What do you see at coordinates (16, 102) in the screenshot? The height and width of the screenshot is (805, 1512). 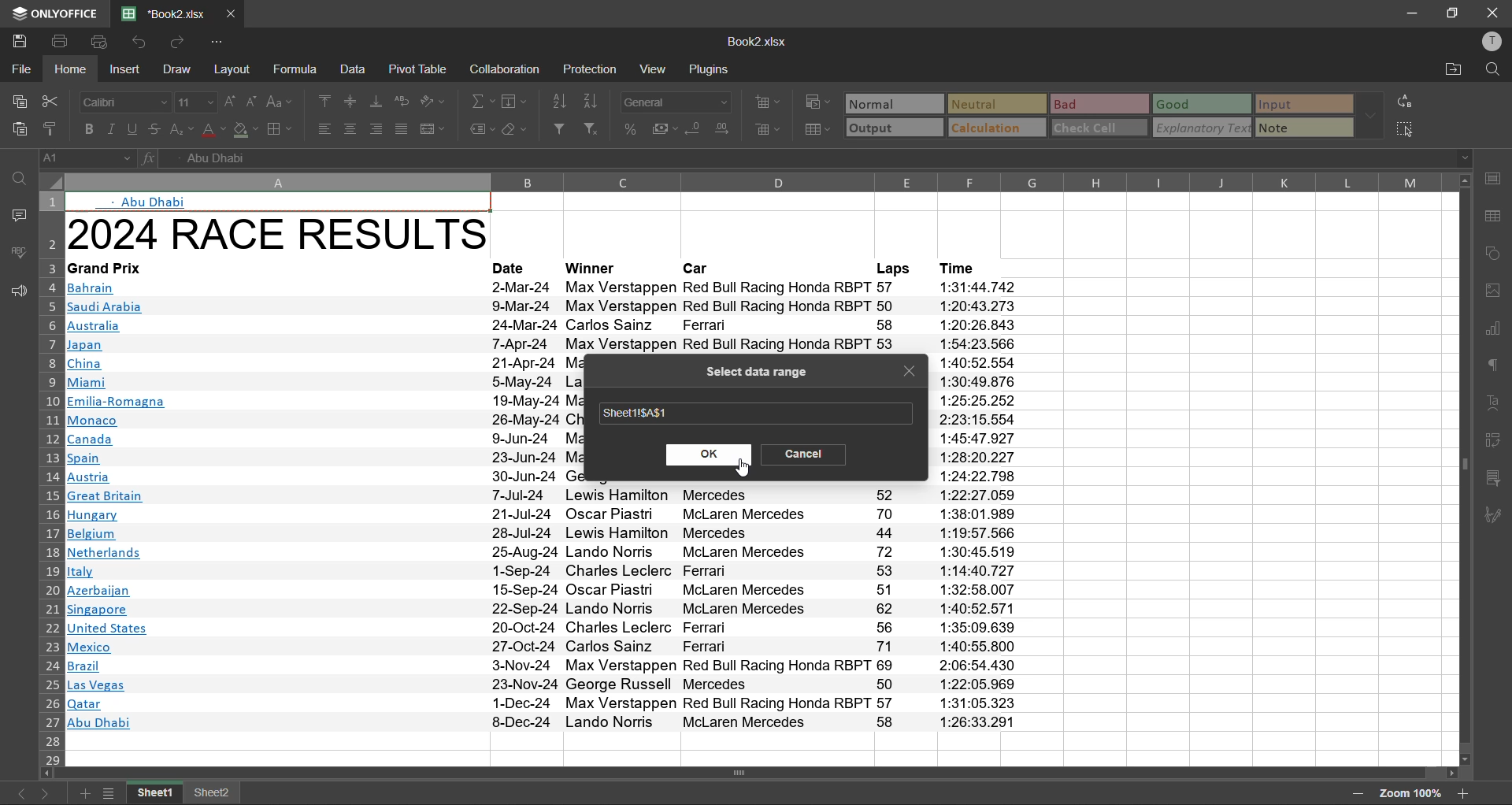 I see `copy` at bounding box center [16, 102].